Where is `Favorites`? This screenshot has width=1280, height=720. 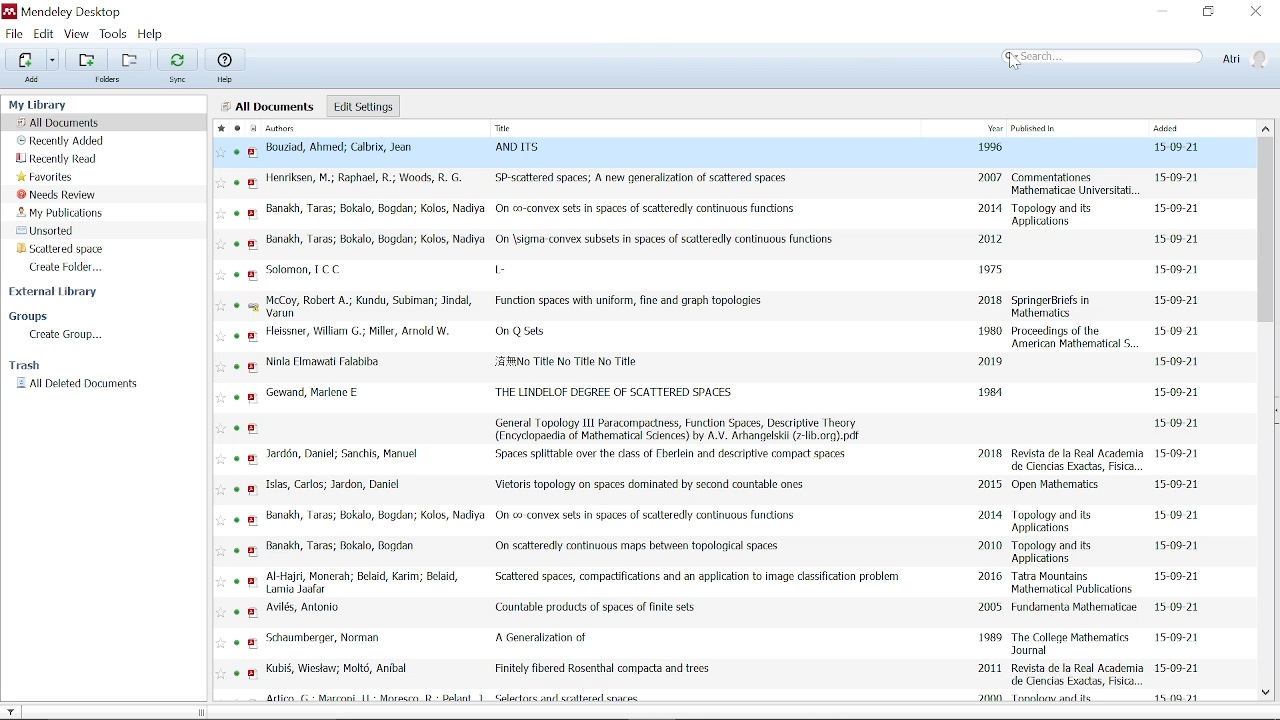 Favorites is located at coordinates (51, 177).